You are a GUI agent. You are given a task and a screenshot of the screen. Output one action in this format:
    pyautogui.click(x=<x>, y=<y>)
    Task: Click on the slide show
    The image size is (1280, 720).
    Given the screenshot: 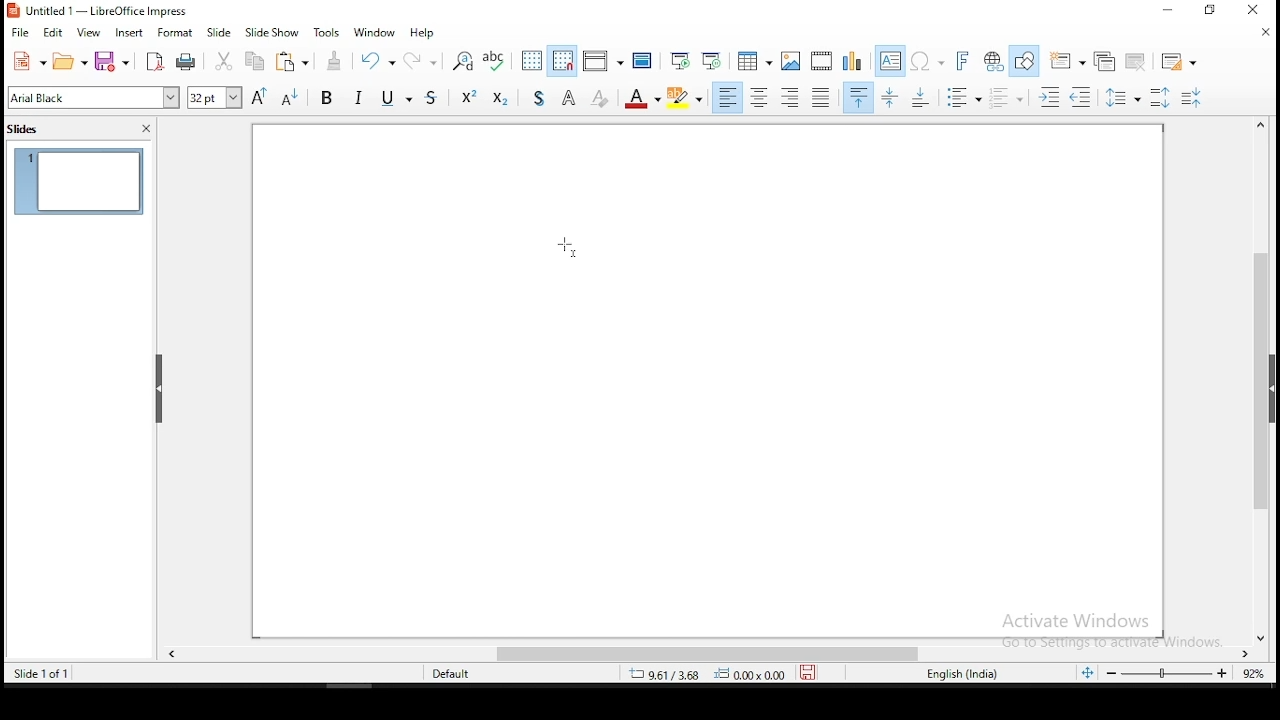 What is the action you would take?
    pyautogui.click(x=271, y=33)
    